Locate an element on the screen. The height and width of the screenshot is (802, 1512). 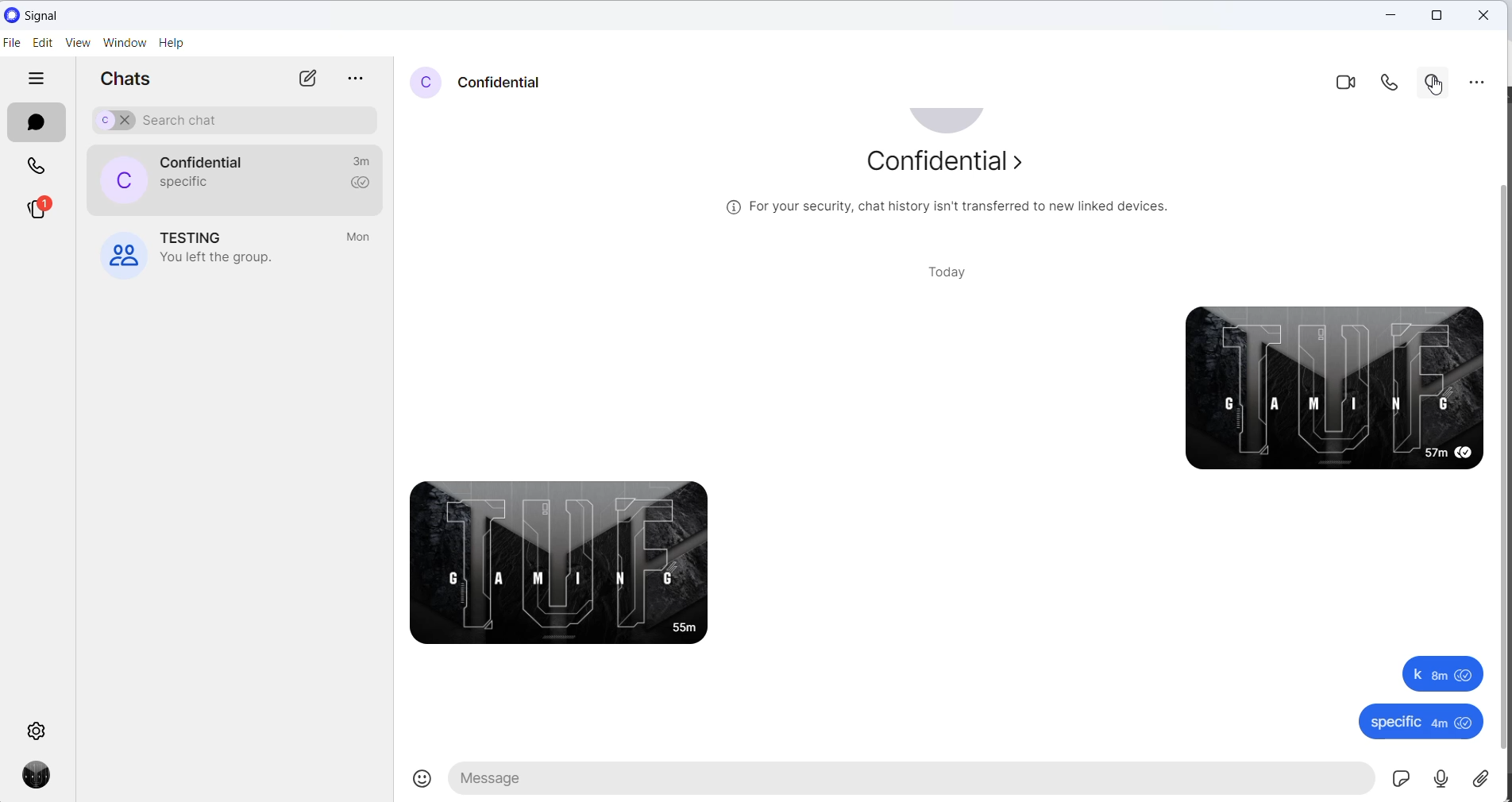
group left notification is located at coordinates (223, 258).